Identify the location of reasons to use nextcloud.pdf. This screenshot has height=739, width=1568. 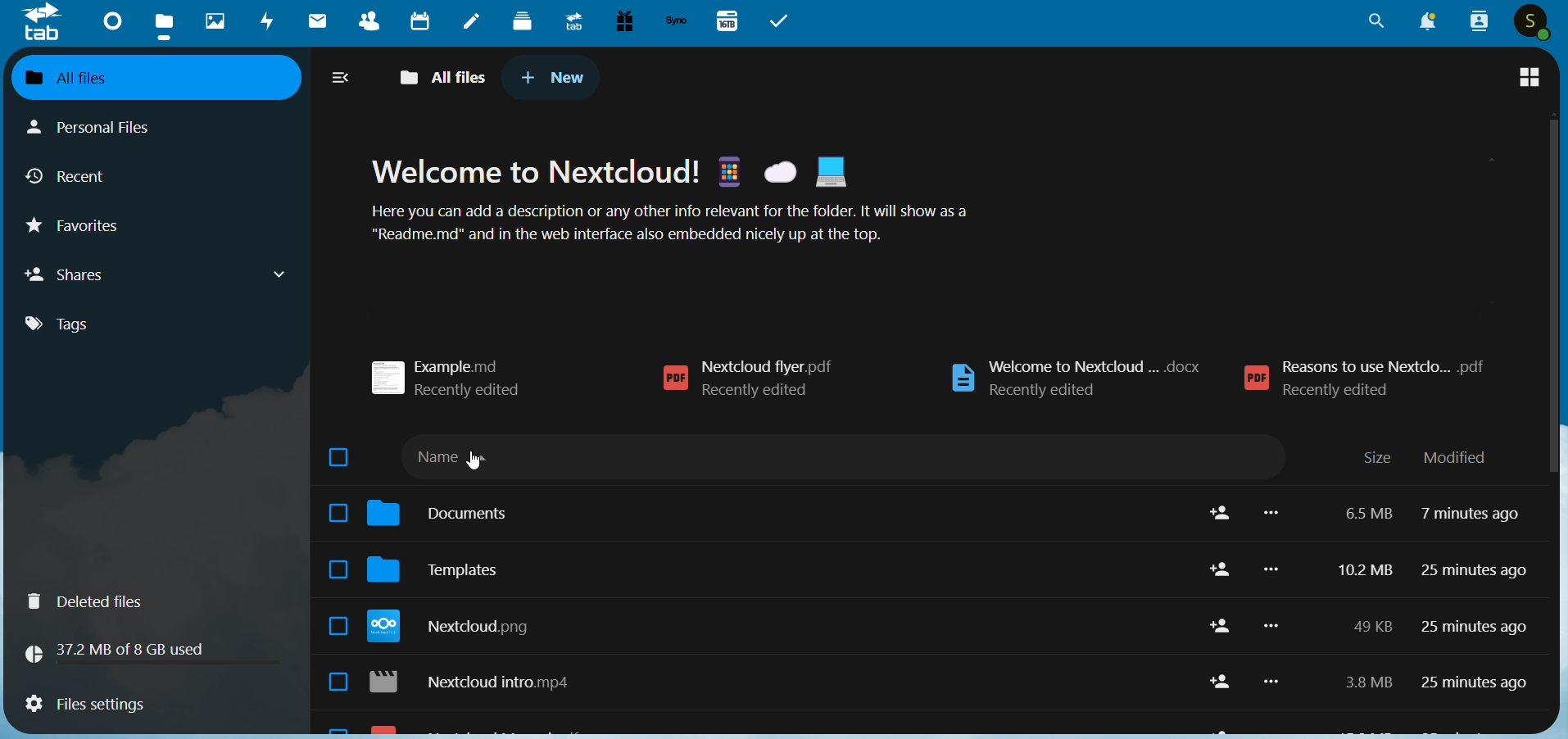
(516, 683).